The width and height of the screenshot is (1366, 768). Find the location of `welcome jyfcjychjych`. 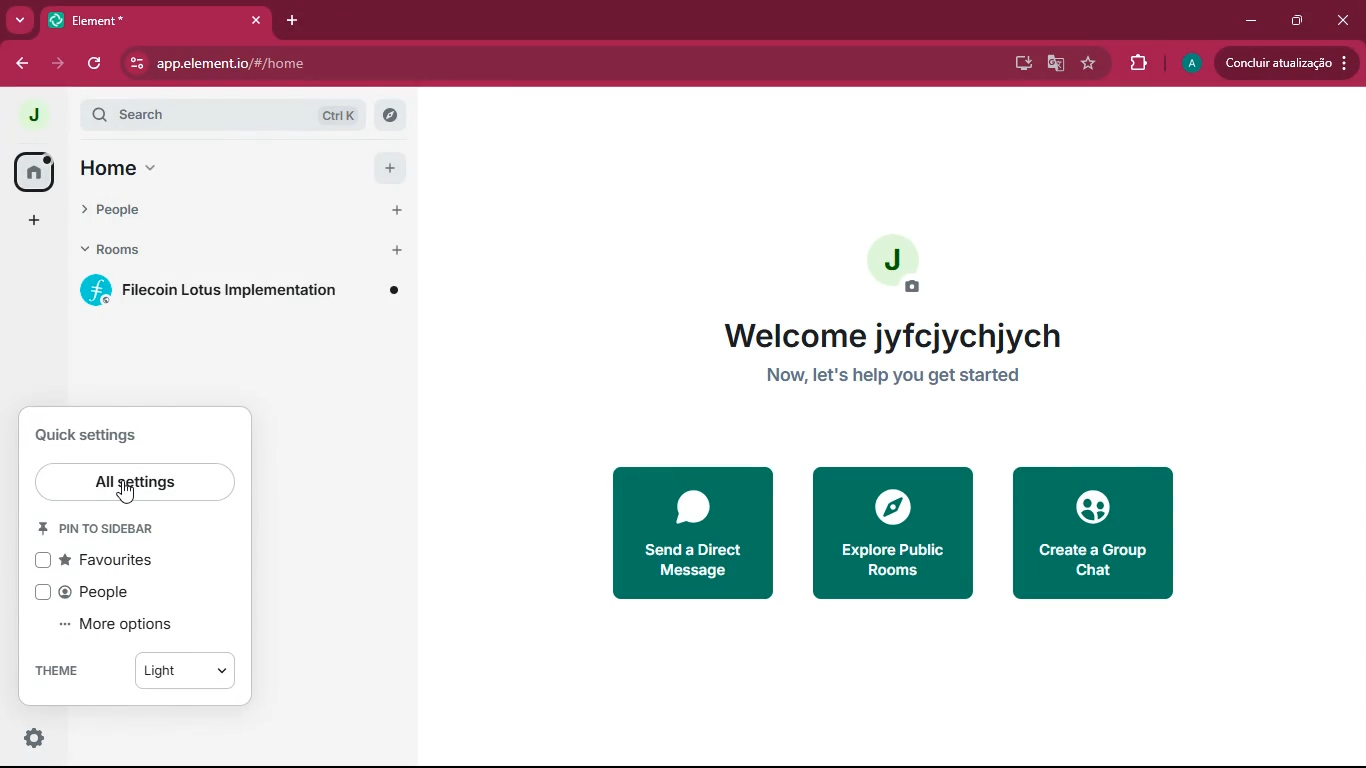

welcome jyfcjychjych is located at coordinates (888, 336).